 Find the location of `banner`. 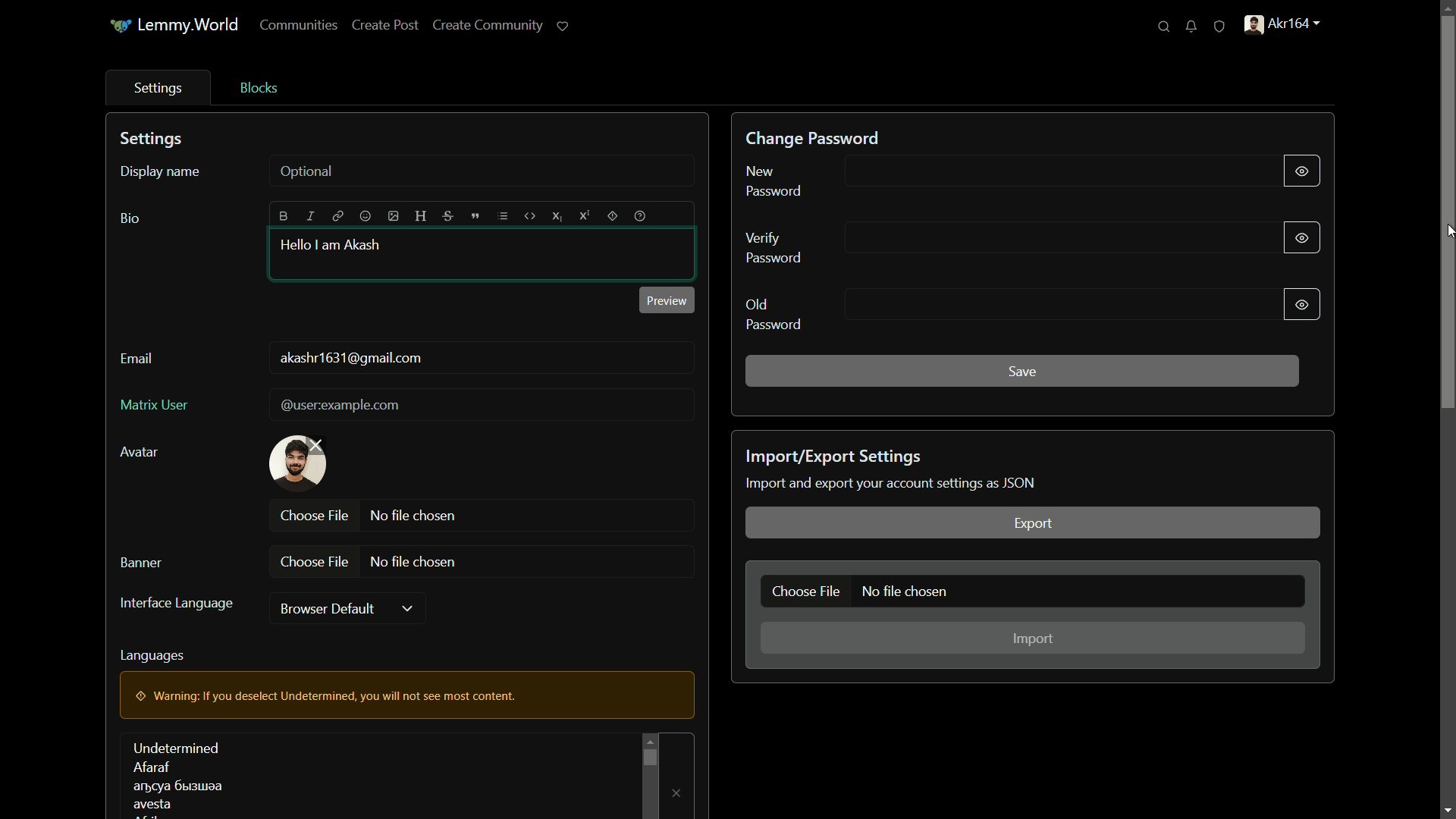

banner is located at coordinates (140, 563).